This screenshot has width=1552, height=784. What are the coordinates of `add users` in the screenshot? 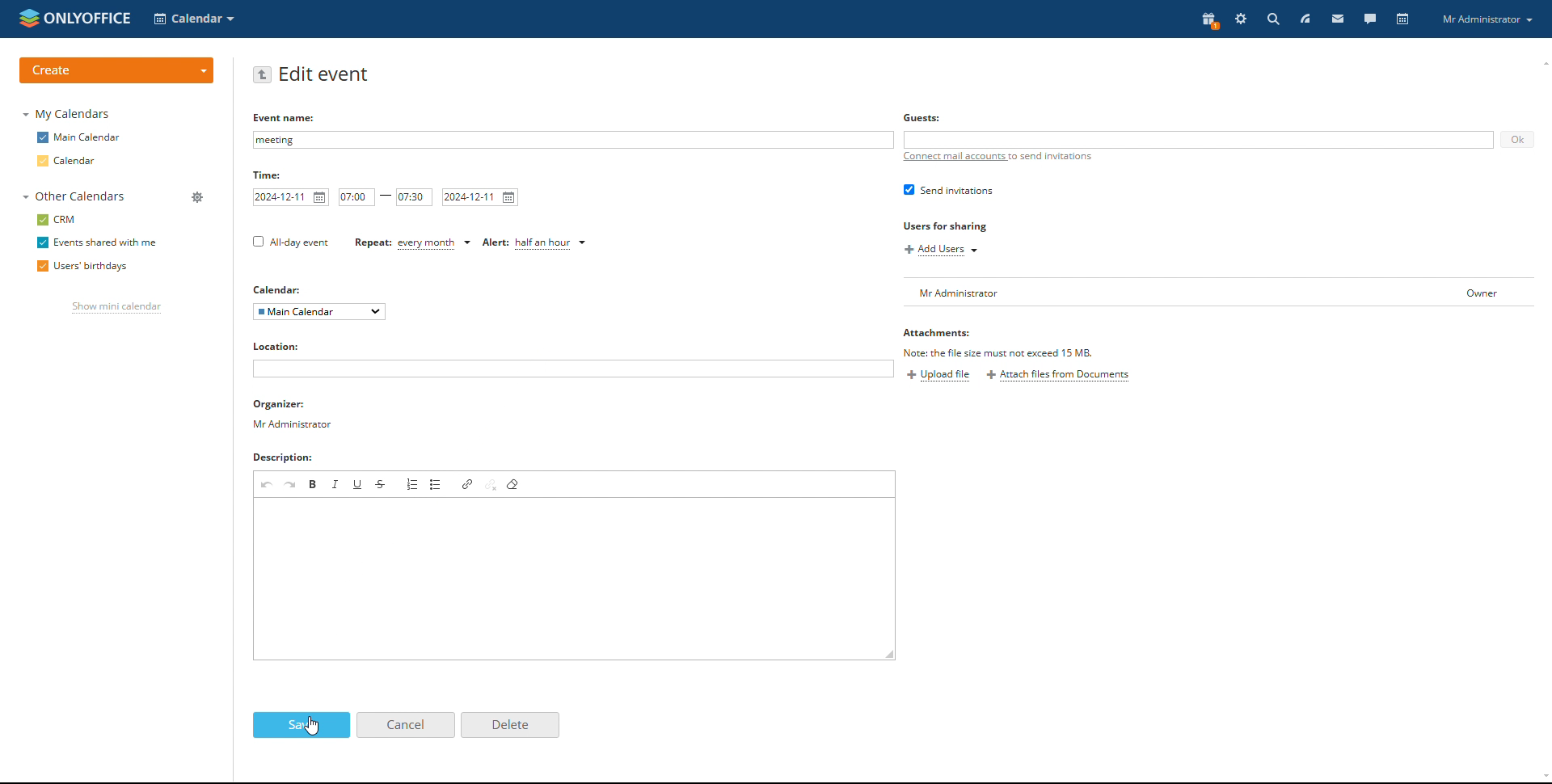 It's located at (942, 251).